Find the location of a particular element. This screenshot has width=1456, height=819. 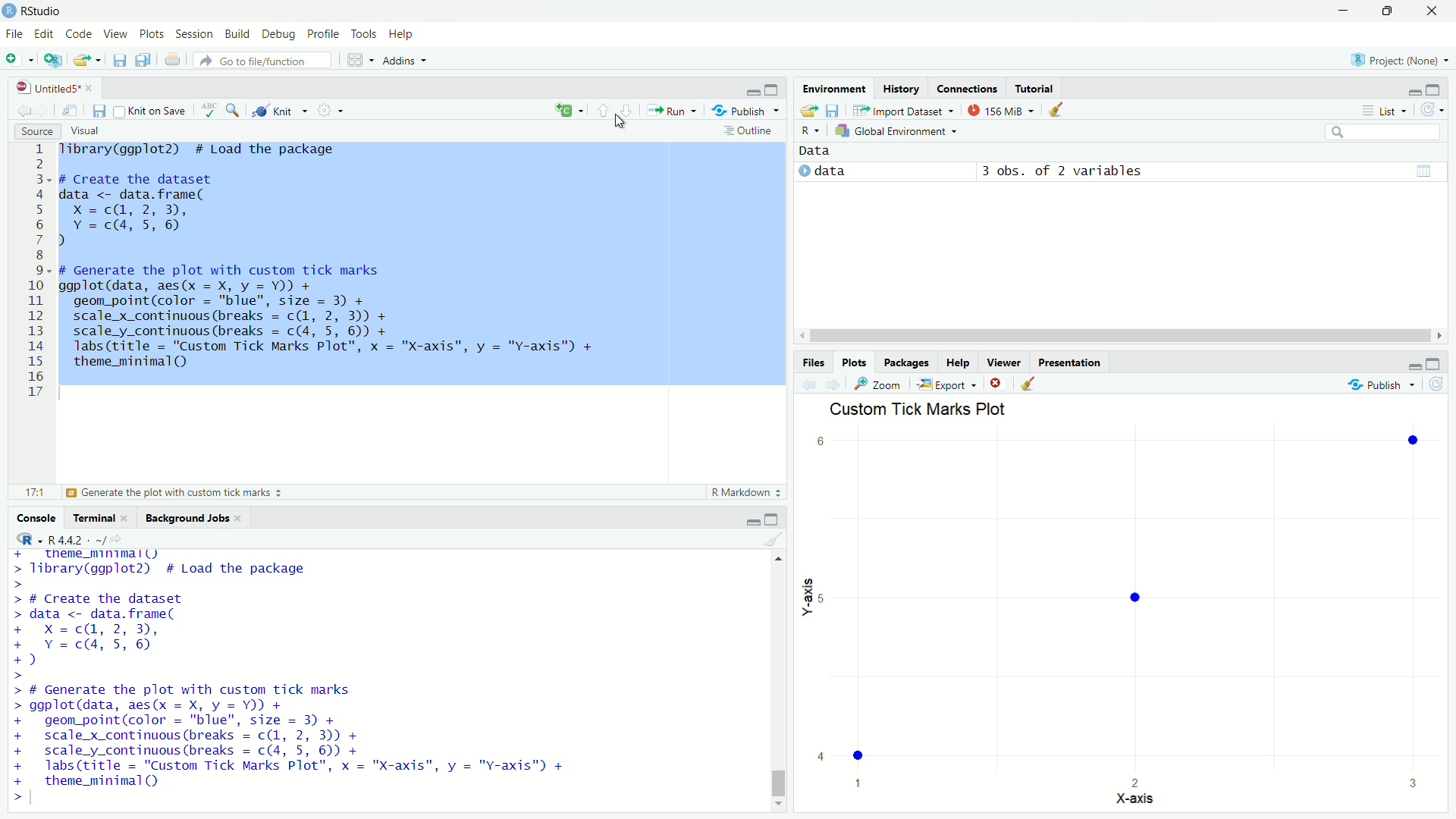

prompt cursor is located at coordinates (19, 677).